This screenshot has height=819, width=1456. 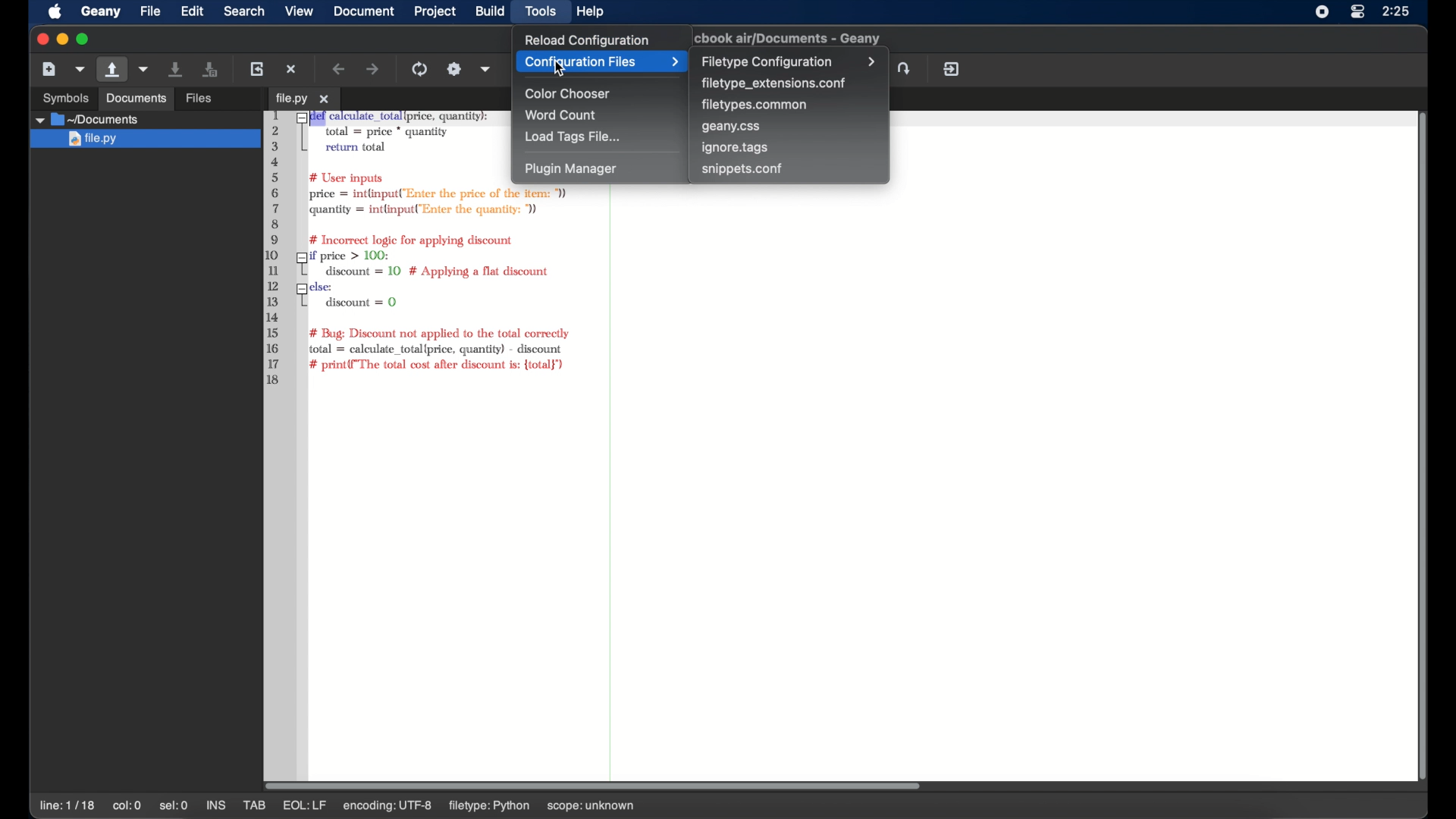 What do you see at coordinates (570, 94) in the screenshot?
I see `color chooser ` at bounding box center [570, 94].